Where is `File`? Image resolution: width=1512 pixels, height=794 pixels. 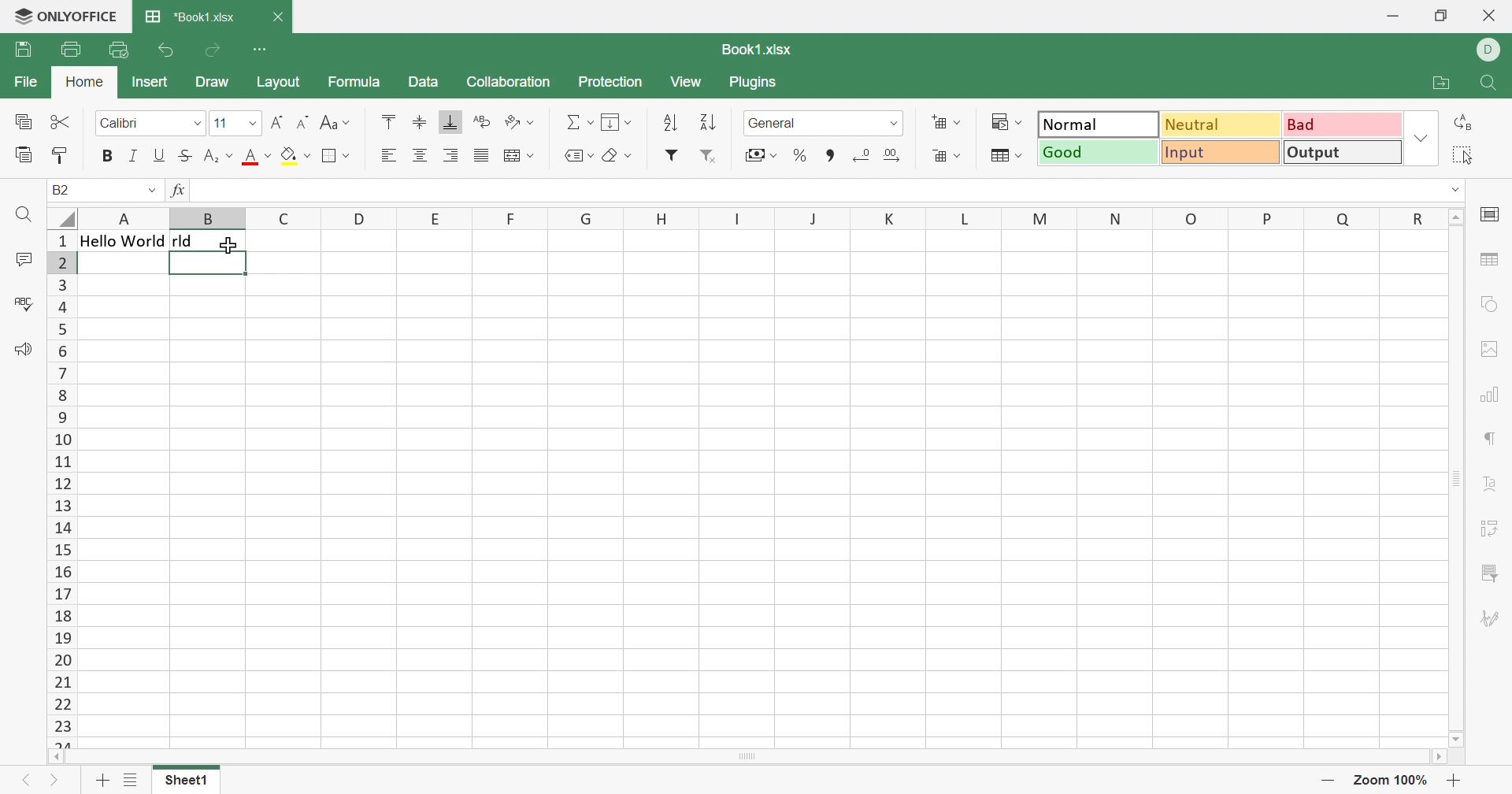
File is located at coordinates (24, 80).